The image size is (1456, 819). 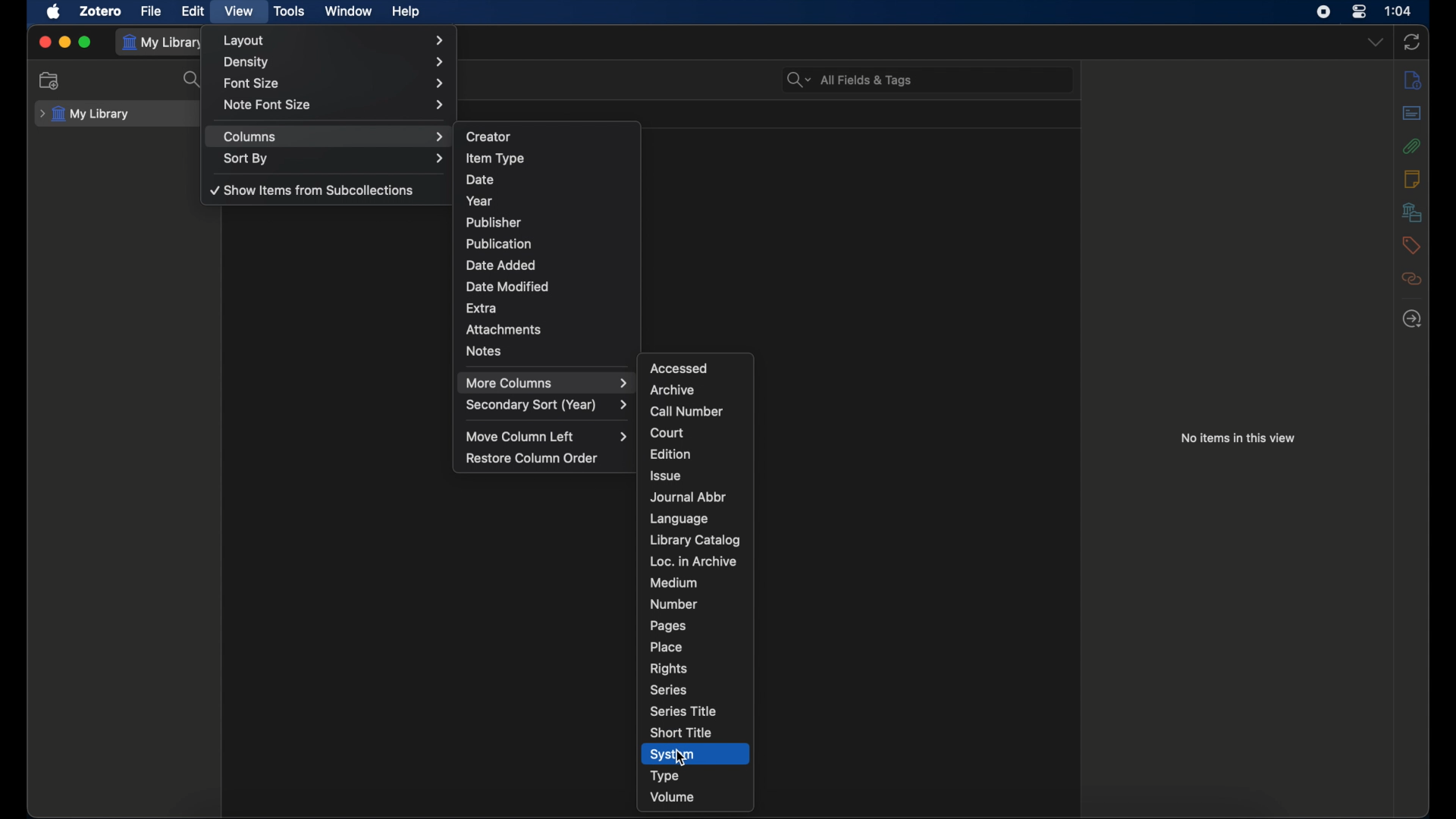 I want to click on creator, so click(x=488, y=136).